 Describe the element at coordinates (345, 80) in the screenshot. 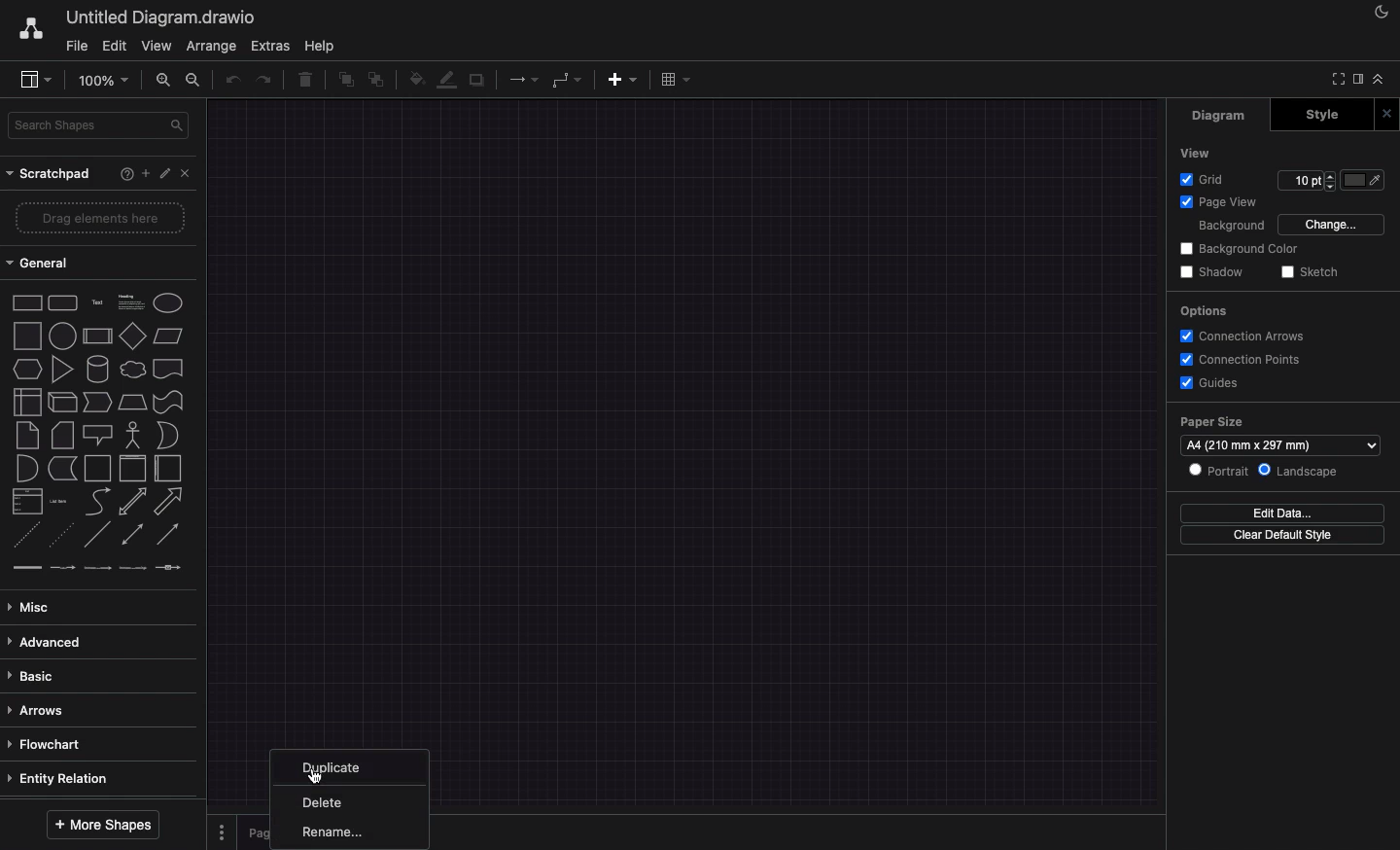

I see `to front` at that location.